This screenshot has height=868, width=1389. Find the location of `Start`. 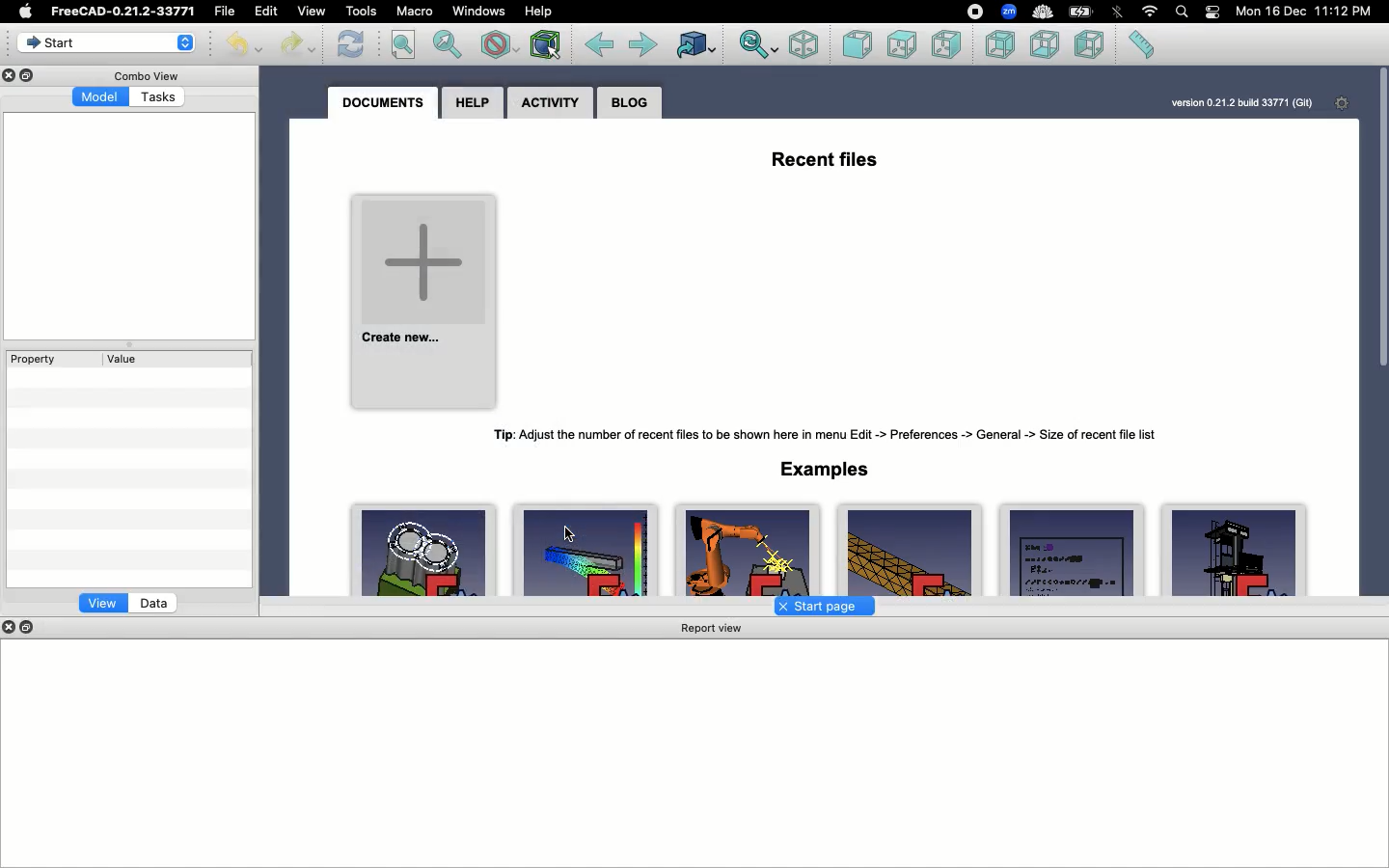

Start is located at coordinates (109, 43).